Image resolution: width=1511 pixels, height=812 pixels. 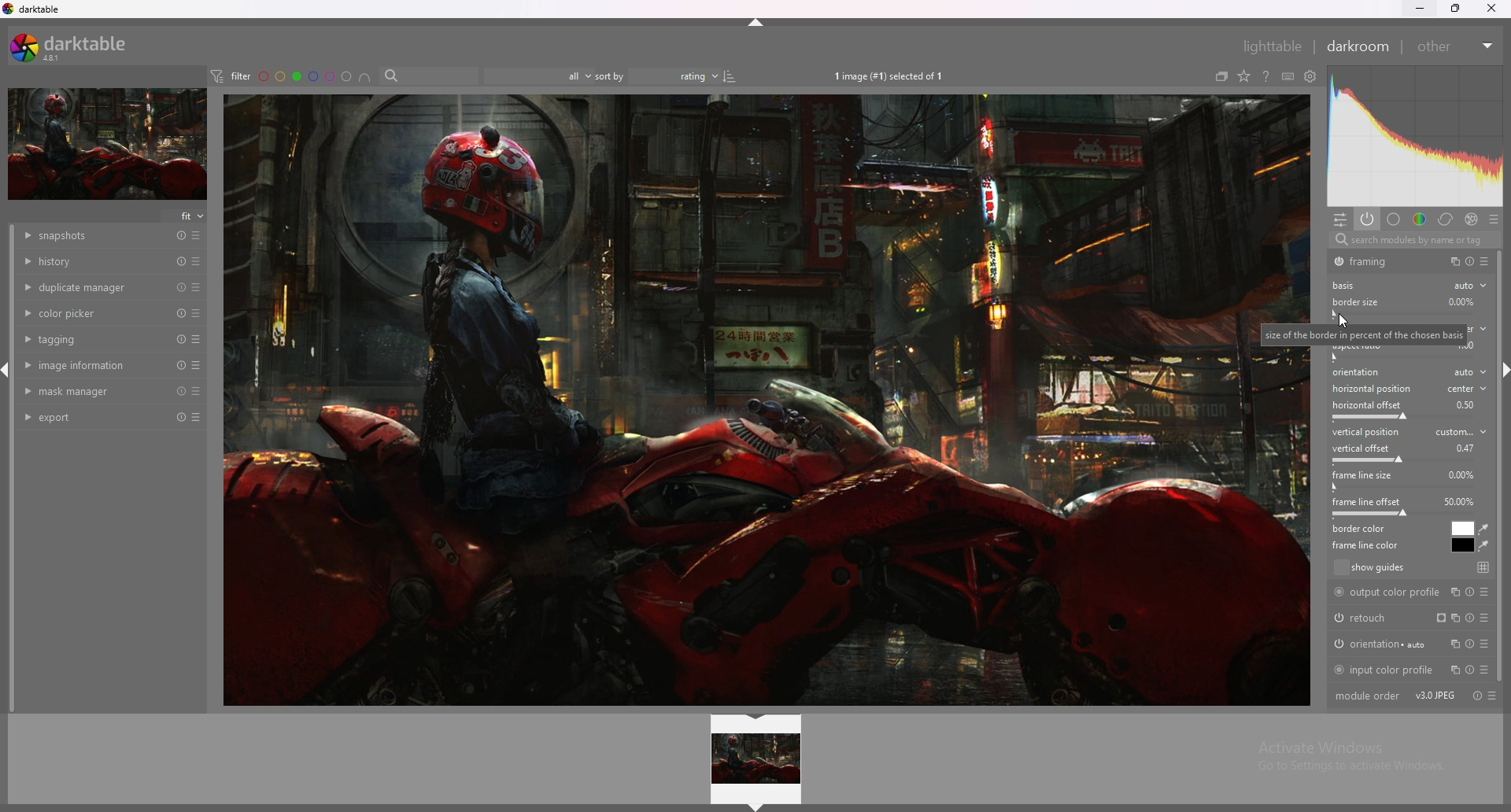 What do you see at coordinates (1406, 460) in the screenshot?
I see `vertical offset bar` at bounding box center [1406, 460].